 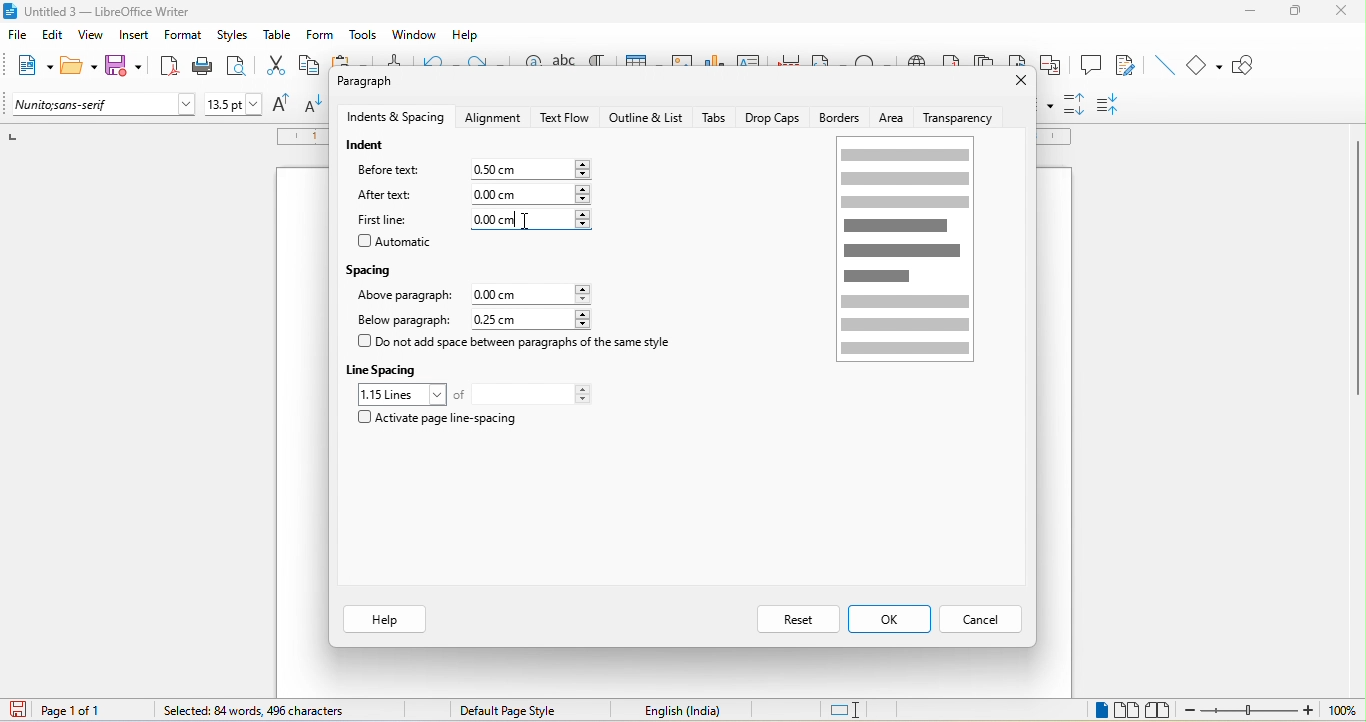 I want to click on above paragraph, so click(x=404, y=297).